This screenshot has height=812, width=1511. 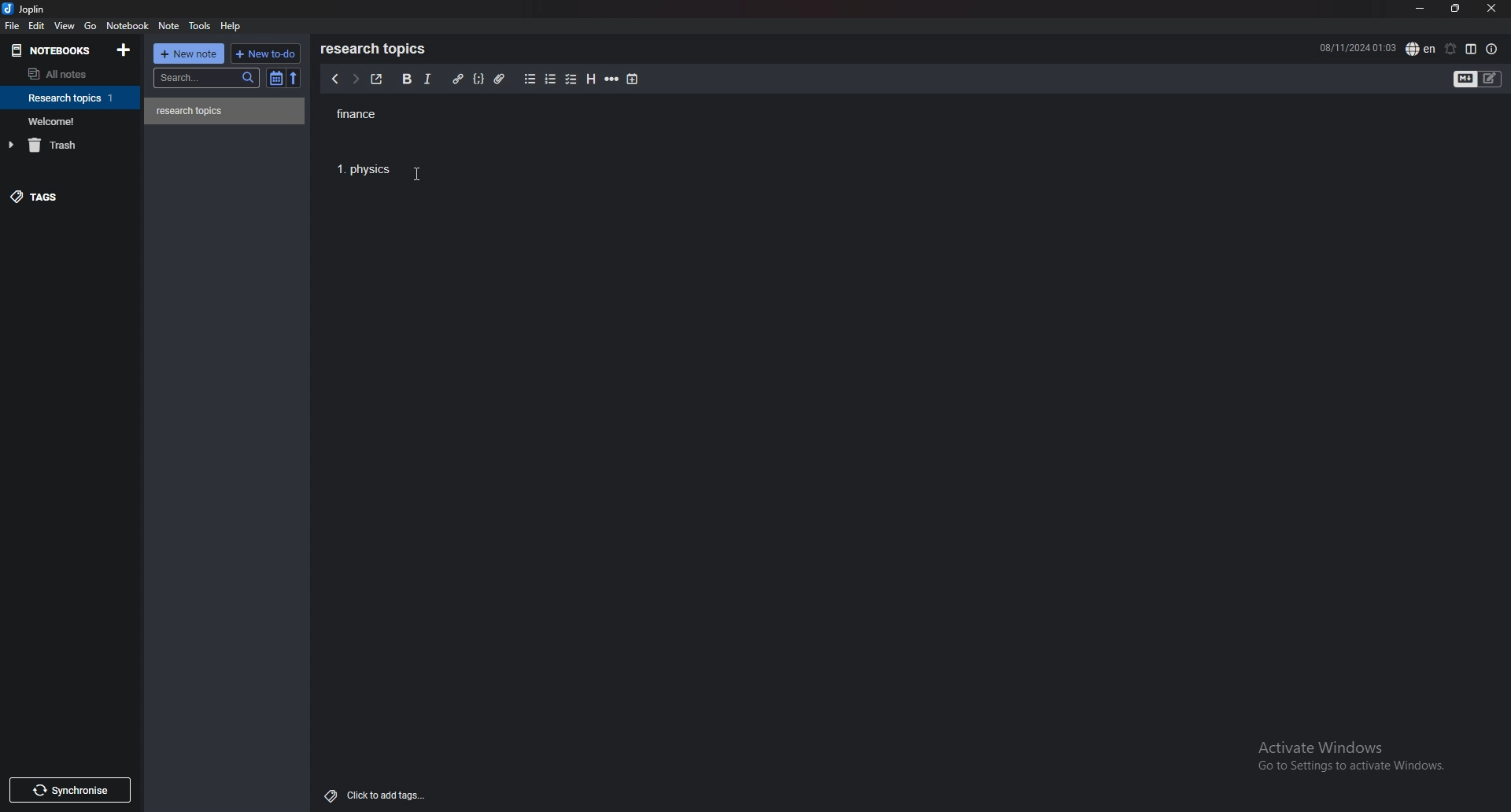 What do you see at coordinates (129, 26) in the screenshot?
I see `notebook` at bounding box center [129, 26].